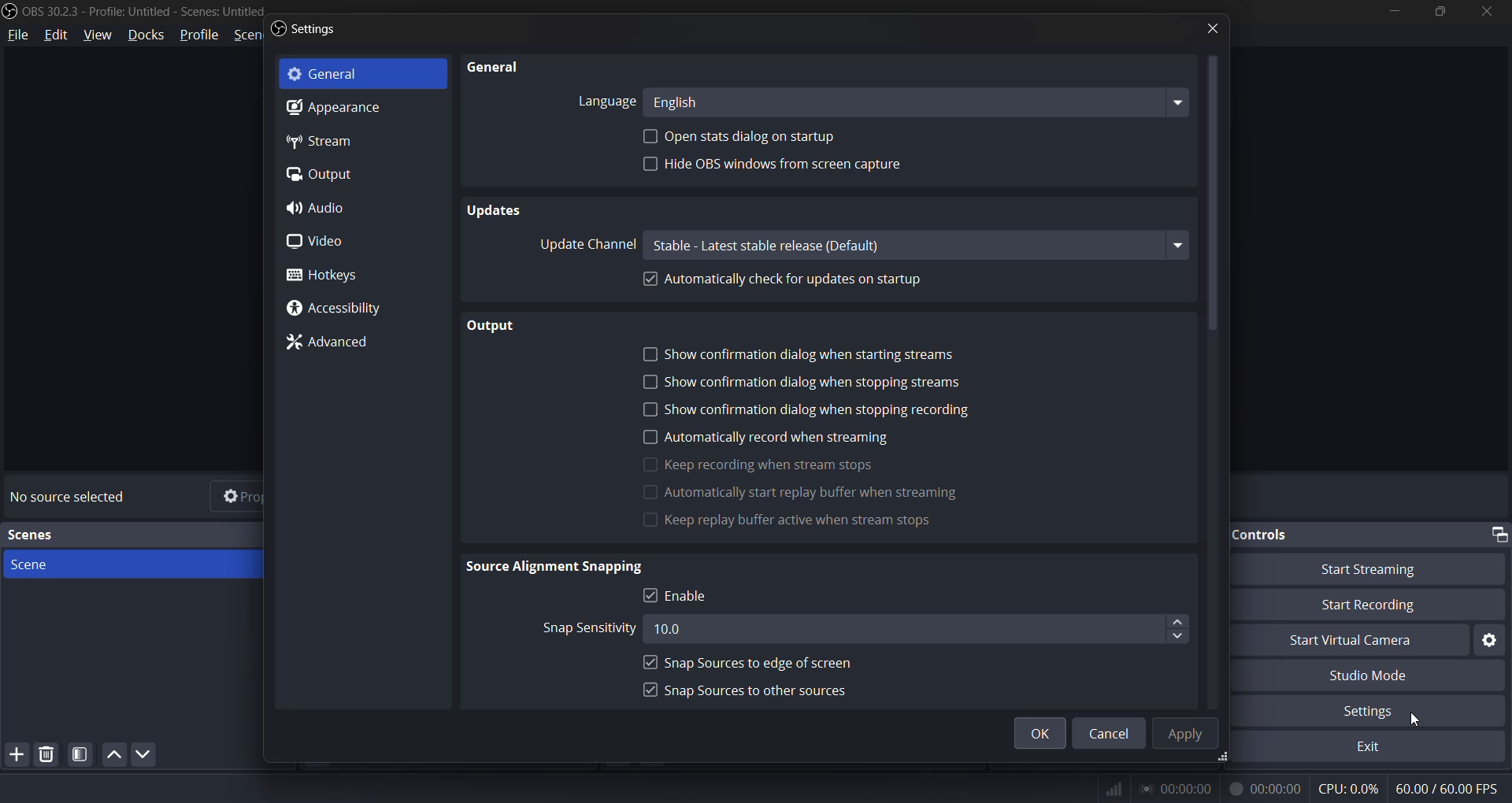 This screenshot has height=803, width=1512. Describe the element at coordinates (17, 754) in the screenshot. I see `add source` at that location.